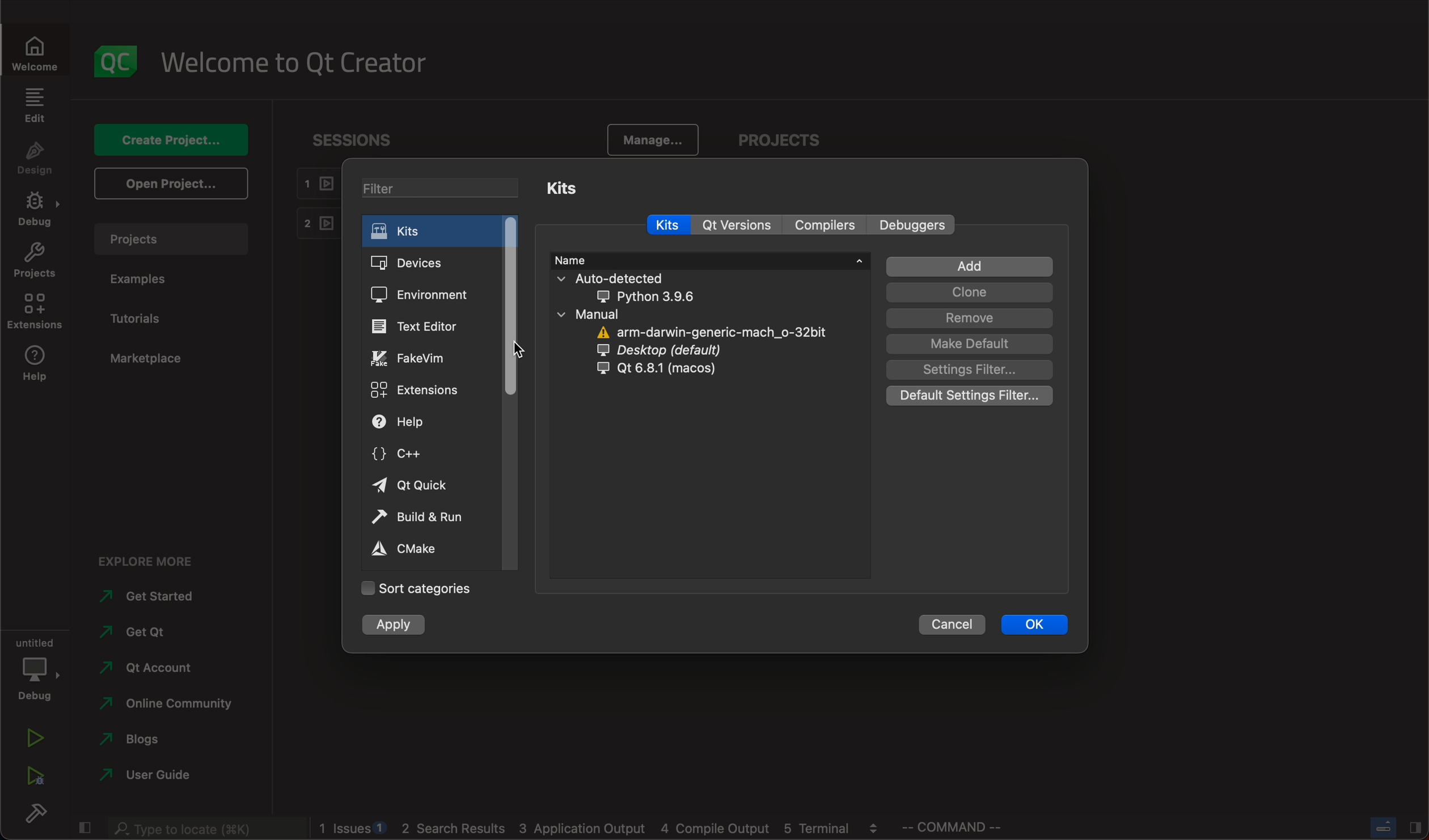  I want to click on welcome, so click(33, 51).